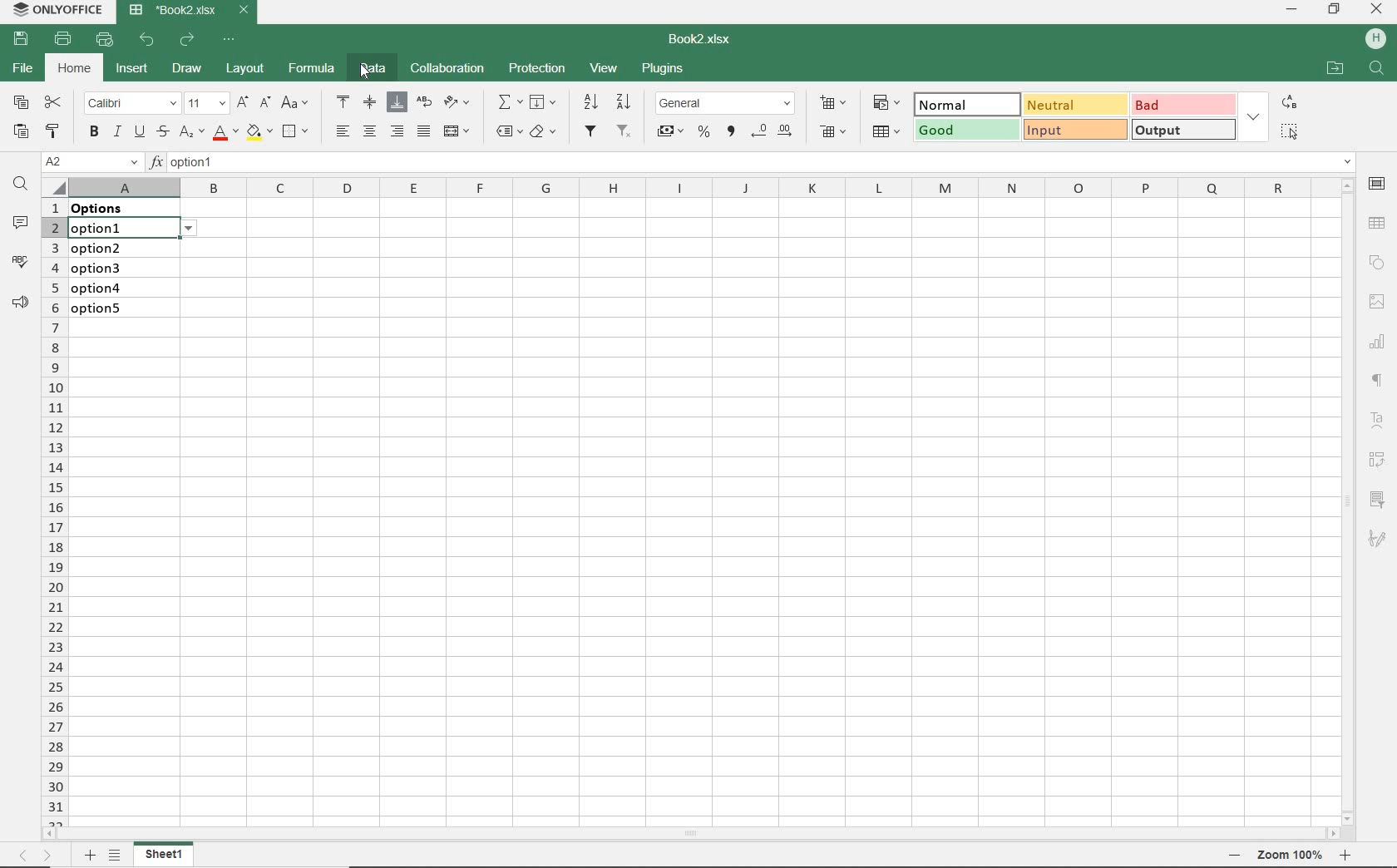 The height and width of the screenshot is (868, 1397). What do you see at coordinates (671, 132) in the screenshot?
I see `ACCOUNTING STYLE` at bounding box center [671, 132].